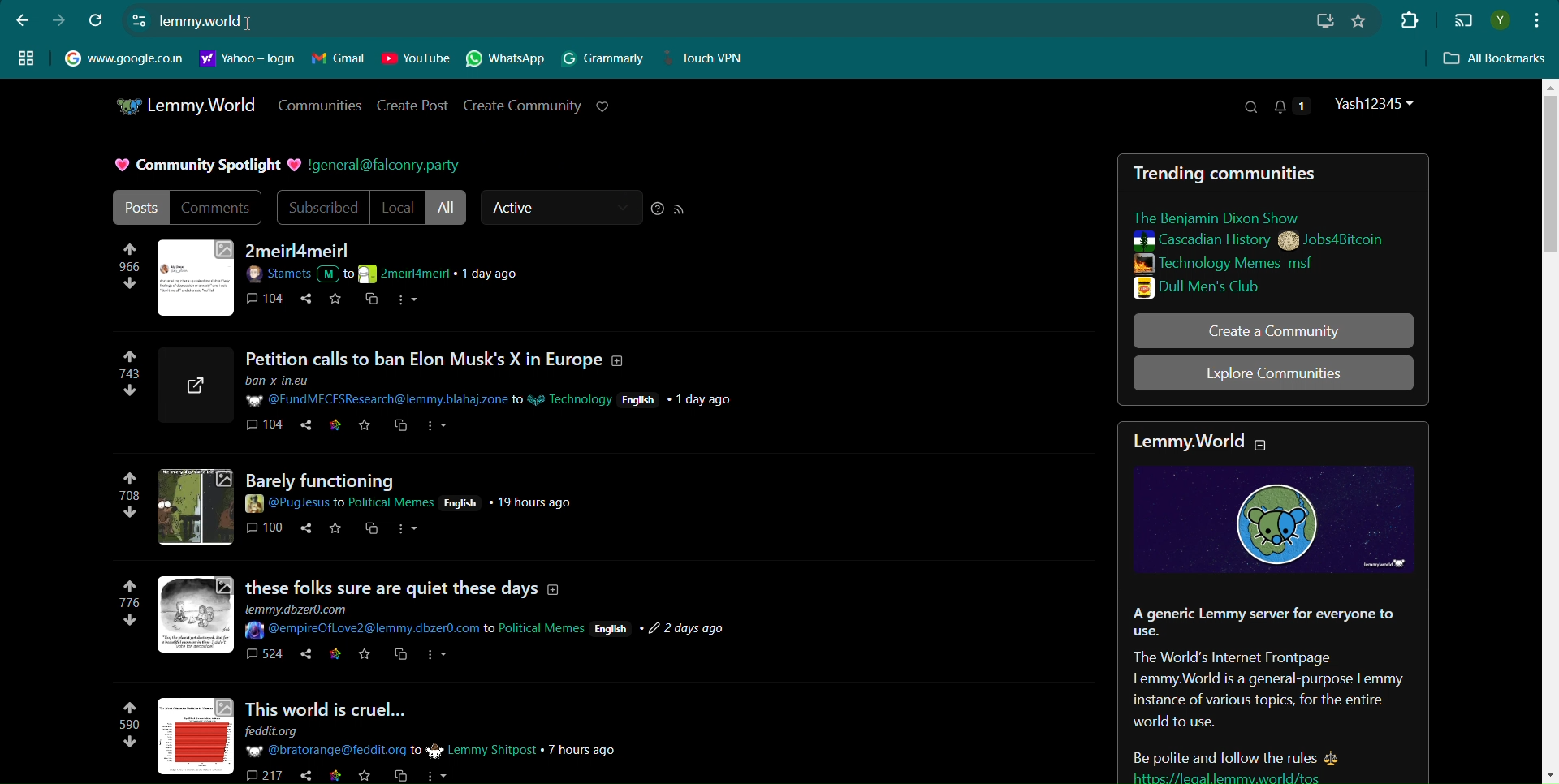  Describe the element at coordinates (218, 207) in the screenshot. I see `Comments` at that location.